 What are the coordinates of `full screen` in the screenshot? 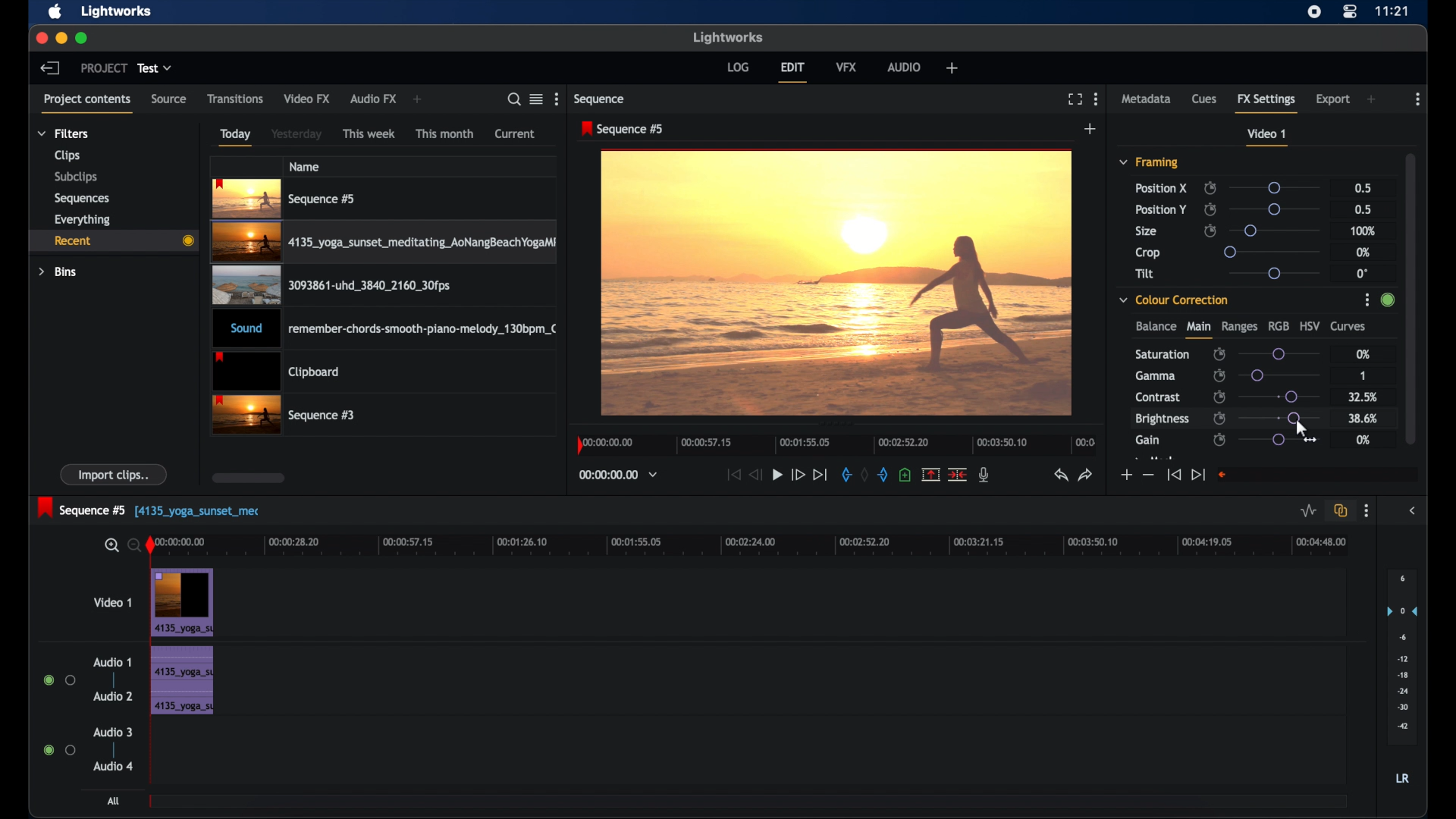 It's located at (1075, 99).